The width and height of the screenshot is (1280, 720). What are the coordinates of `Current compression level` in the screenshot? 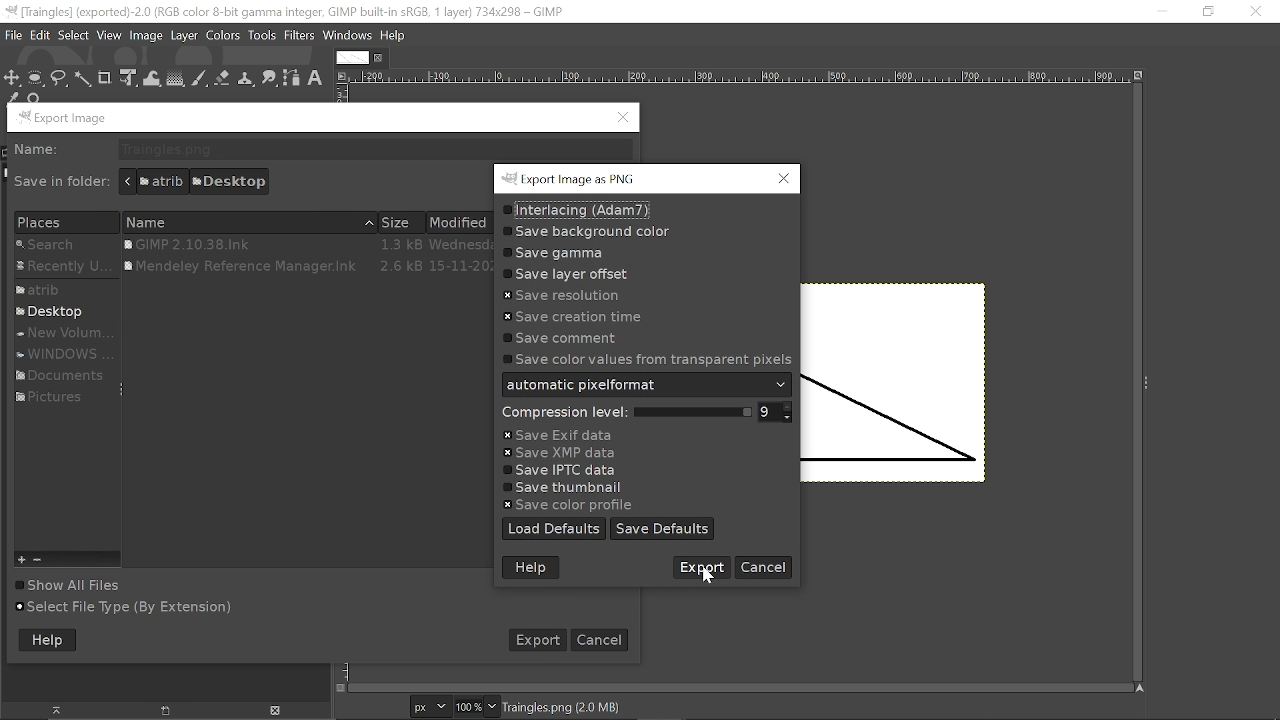 It's located at (767, 413).